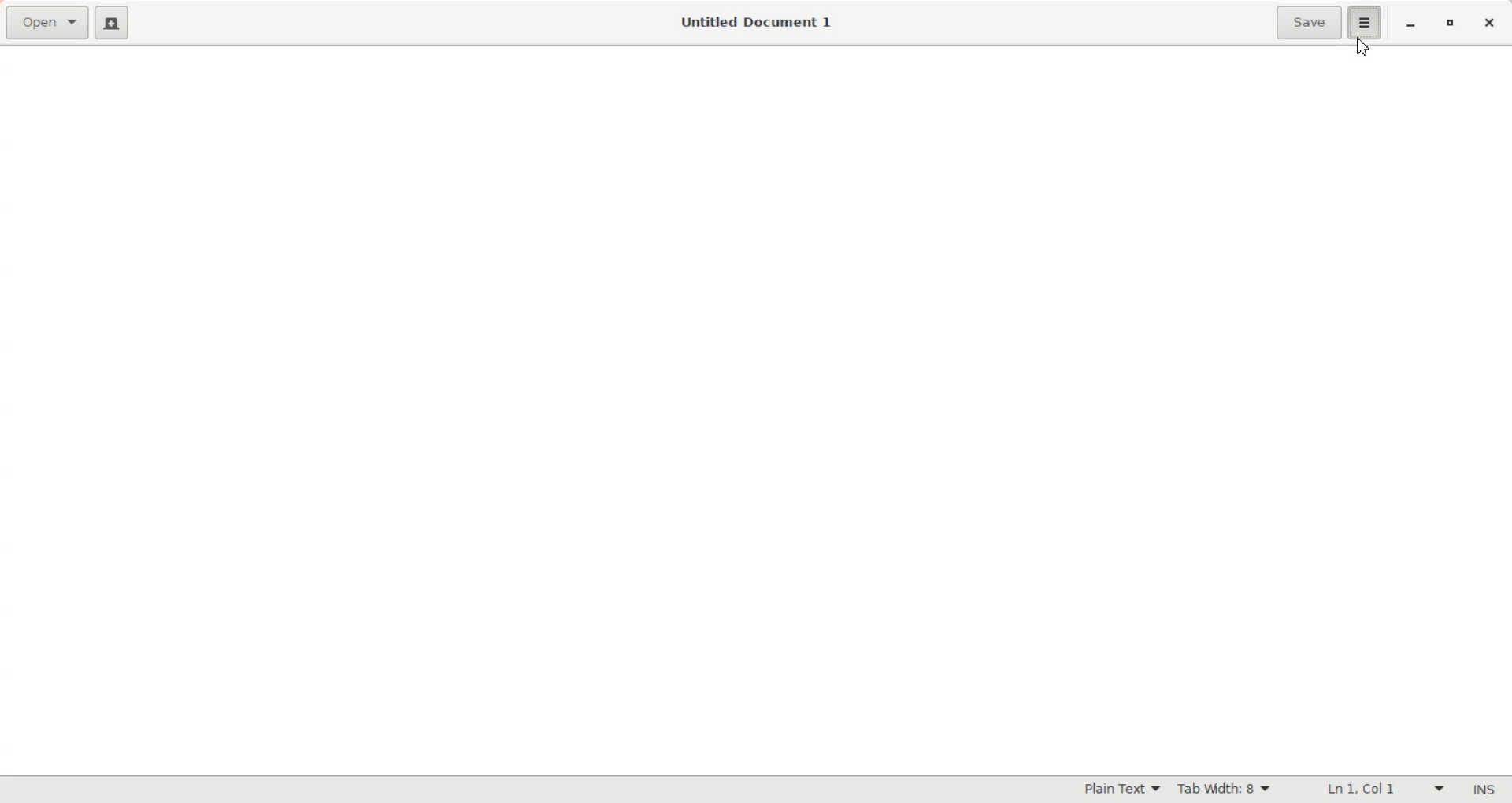  Describe the element at coordinates (1449, 24) in the screenshot. I see `Maximize` at that location.